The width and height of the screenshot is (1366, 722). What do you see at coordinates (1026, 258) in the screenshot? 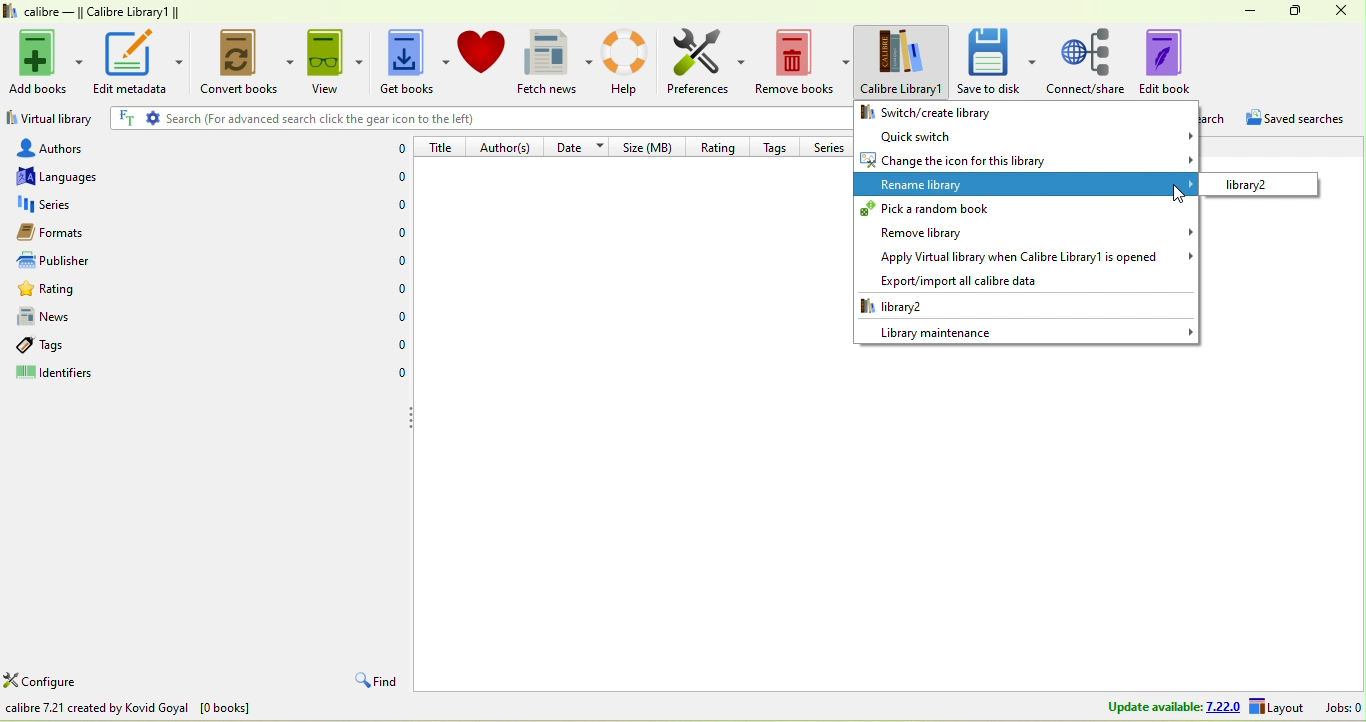
I see `pply virtual library when calibre library is opened` at bounding box center [1026, 258].